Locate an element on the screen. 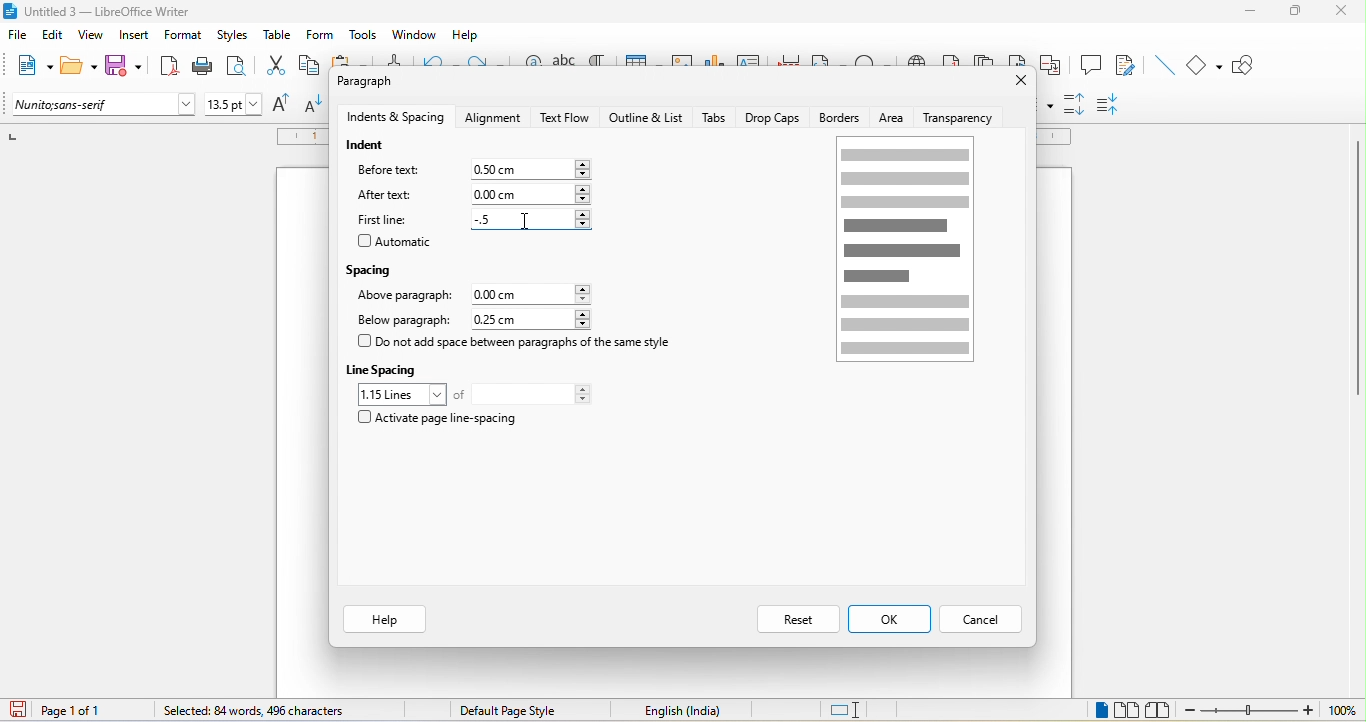 The image size is (1366, 722). before text is located at coordinates (391, 170).